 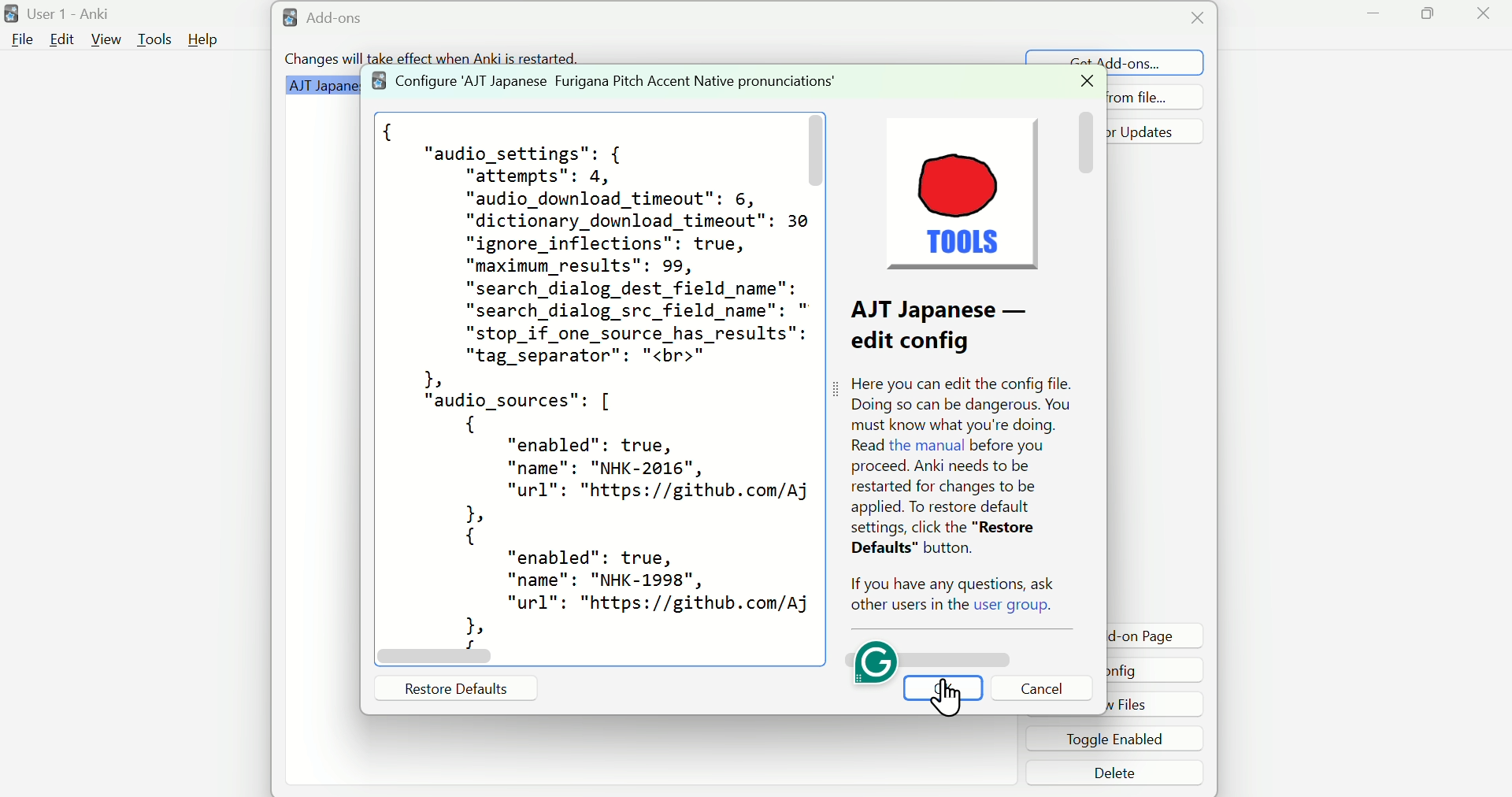 What do you see at coordinates (1114, 740) in the screenshot?
I see `Toggle enabled` at bounding box center [1114, 740].